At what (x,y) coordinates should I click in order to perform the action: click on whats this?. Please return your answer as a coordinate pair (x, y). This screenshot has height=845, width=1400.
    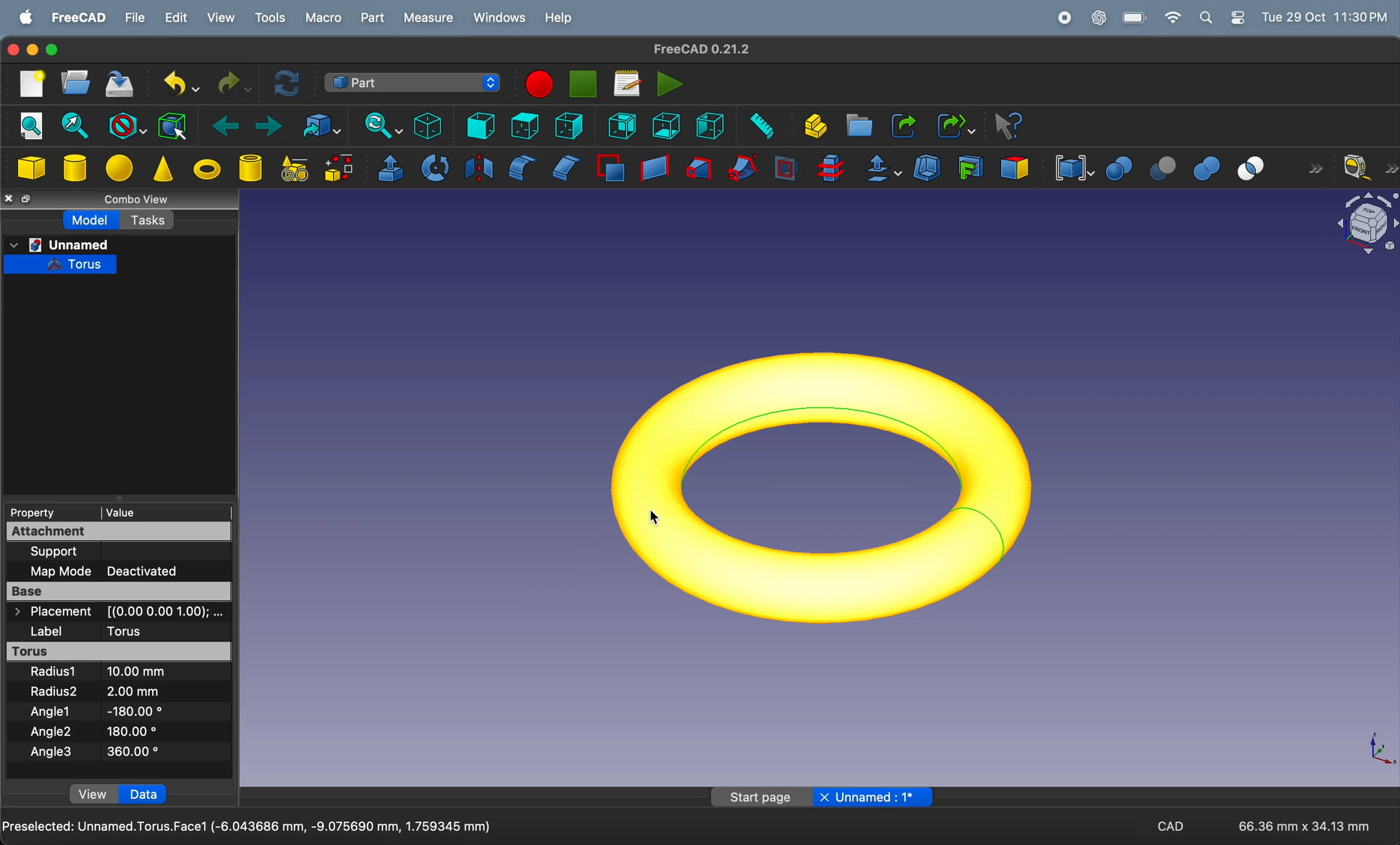
    Looking at the image, I should click on (1009, 126).